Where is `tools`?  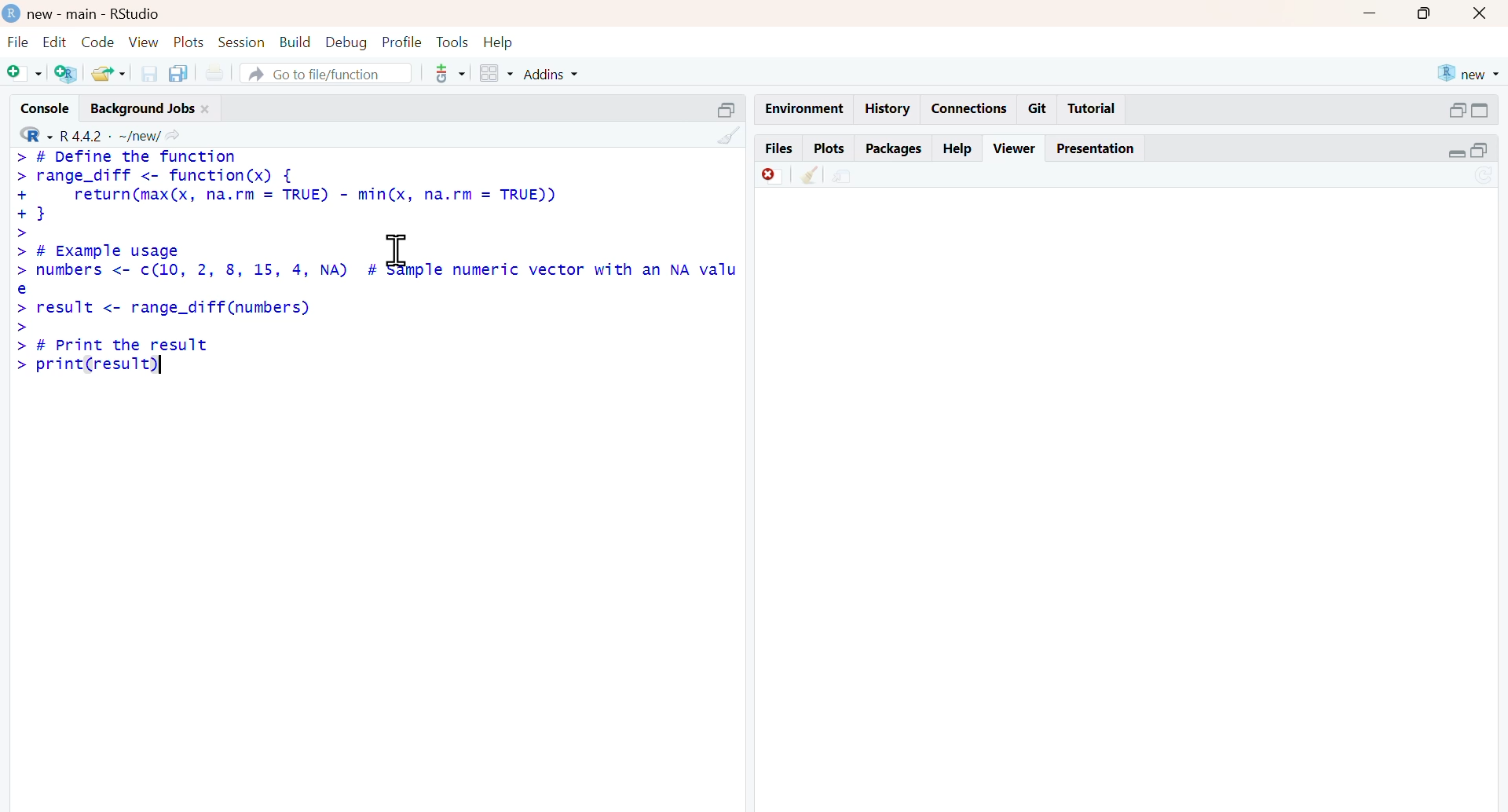 tools is located at coordinates (454, 42).